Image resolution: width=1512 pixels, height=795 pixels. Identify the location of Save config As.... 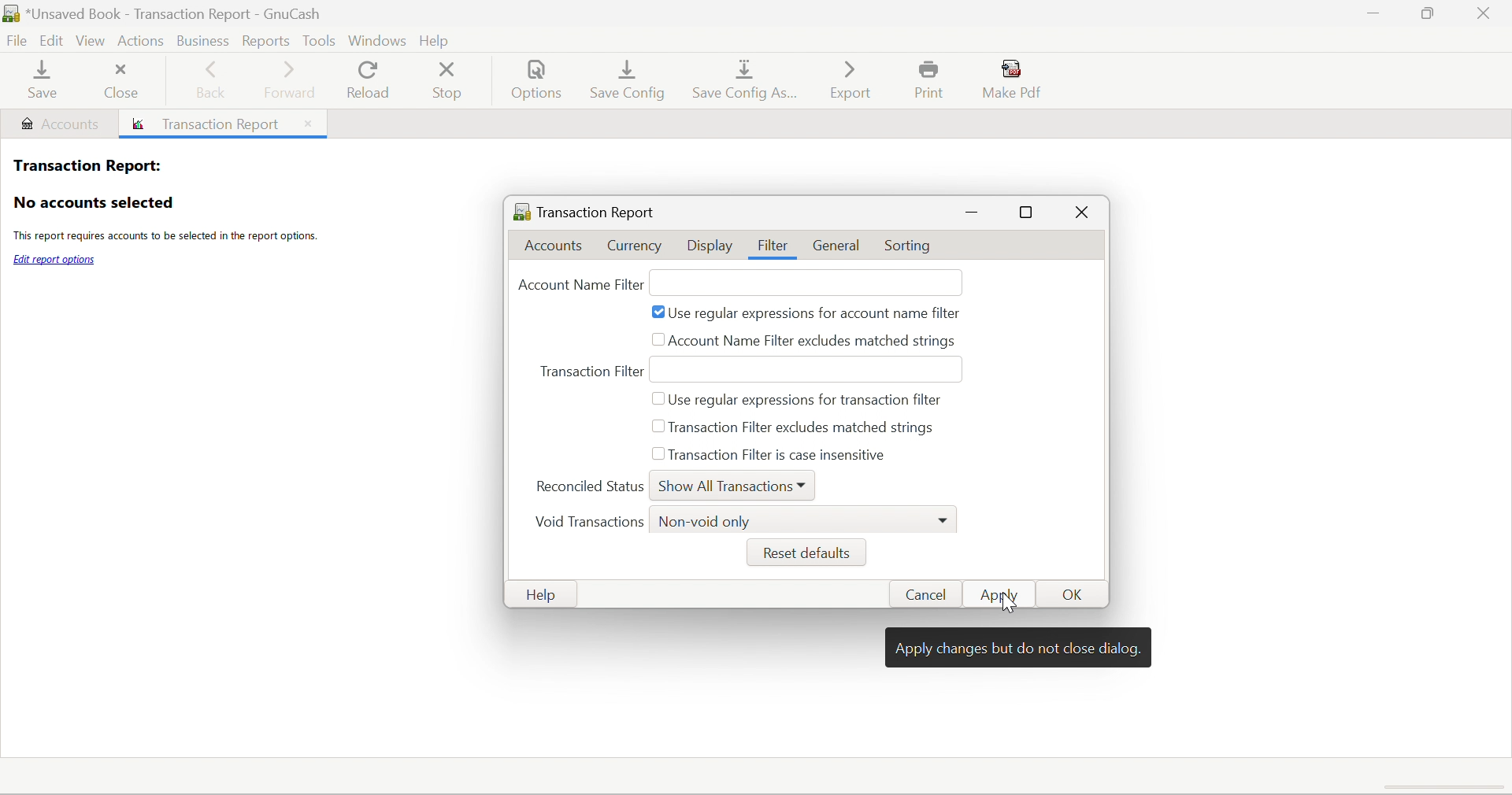
(748, 82).